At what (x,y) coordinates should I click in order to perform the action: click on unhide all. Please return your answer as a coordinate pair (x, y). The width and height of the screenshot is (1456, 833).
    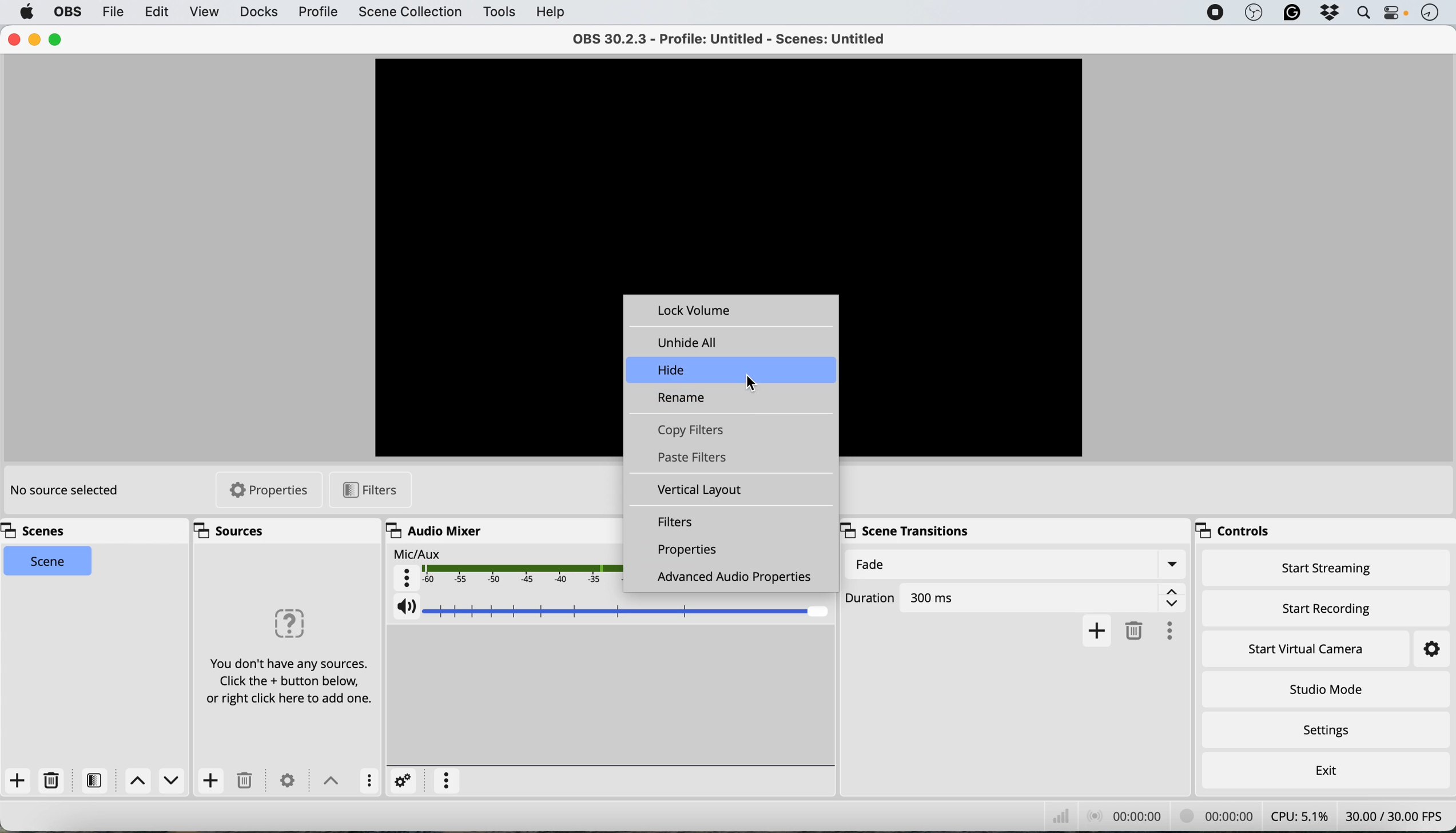
    Looking at the image, I should click on (692, 343).